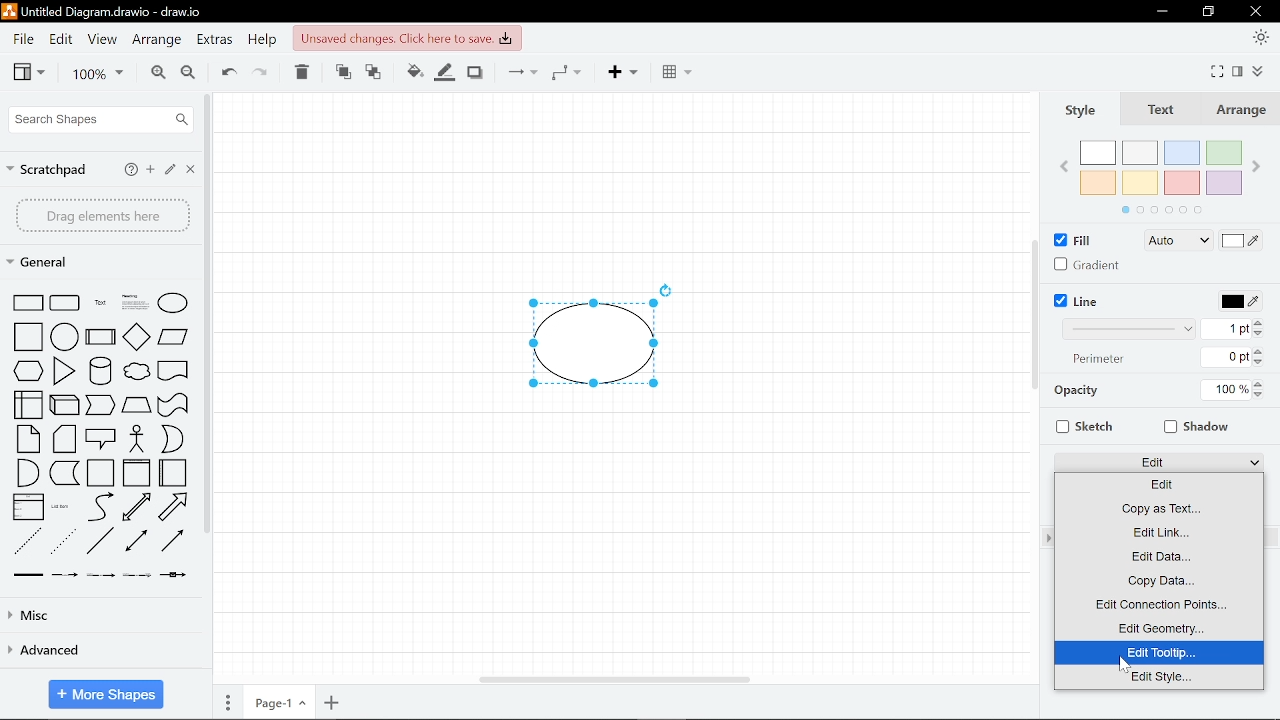  Describe the element at coordinates (624, 73) in the screenshot. I see `Add` at that location.